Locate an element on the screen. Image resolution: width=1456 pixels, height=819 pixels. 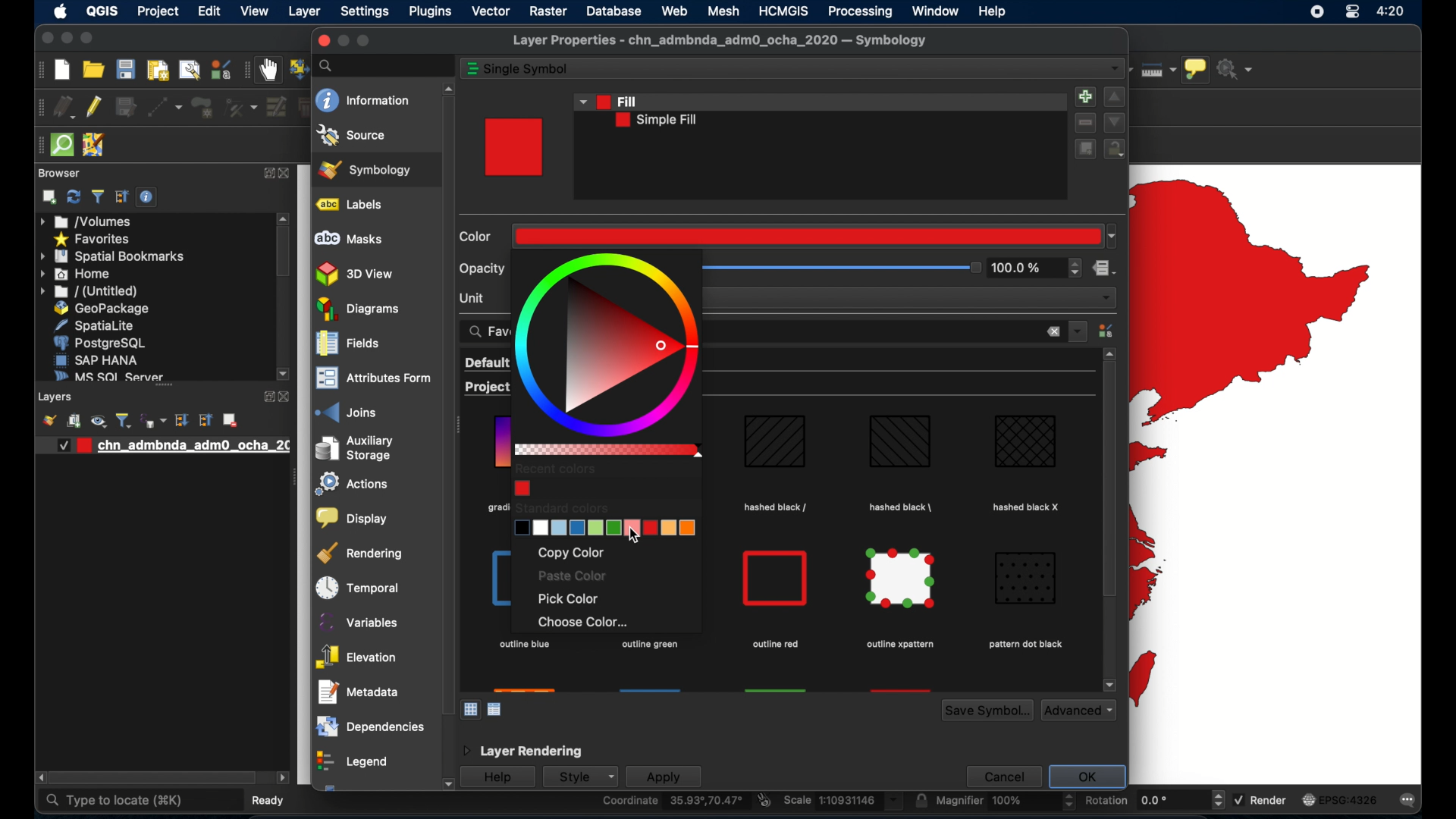
color shading slider is located at coordinates (607, 450).